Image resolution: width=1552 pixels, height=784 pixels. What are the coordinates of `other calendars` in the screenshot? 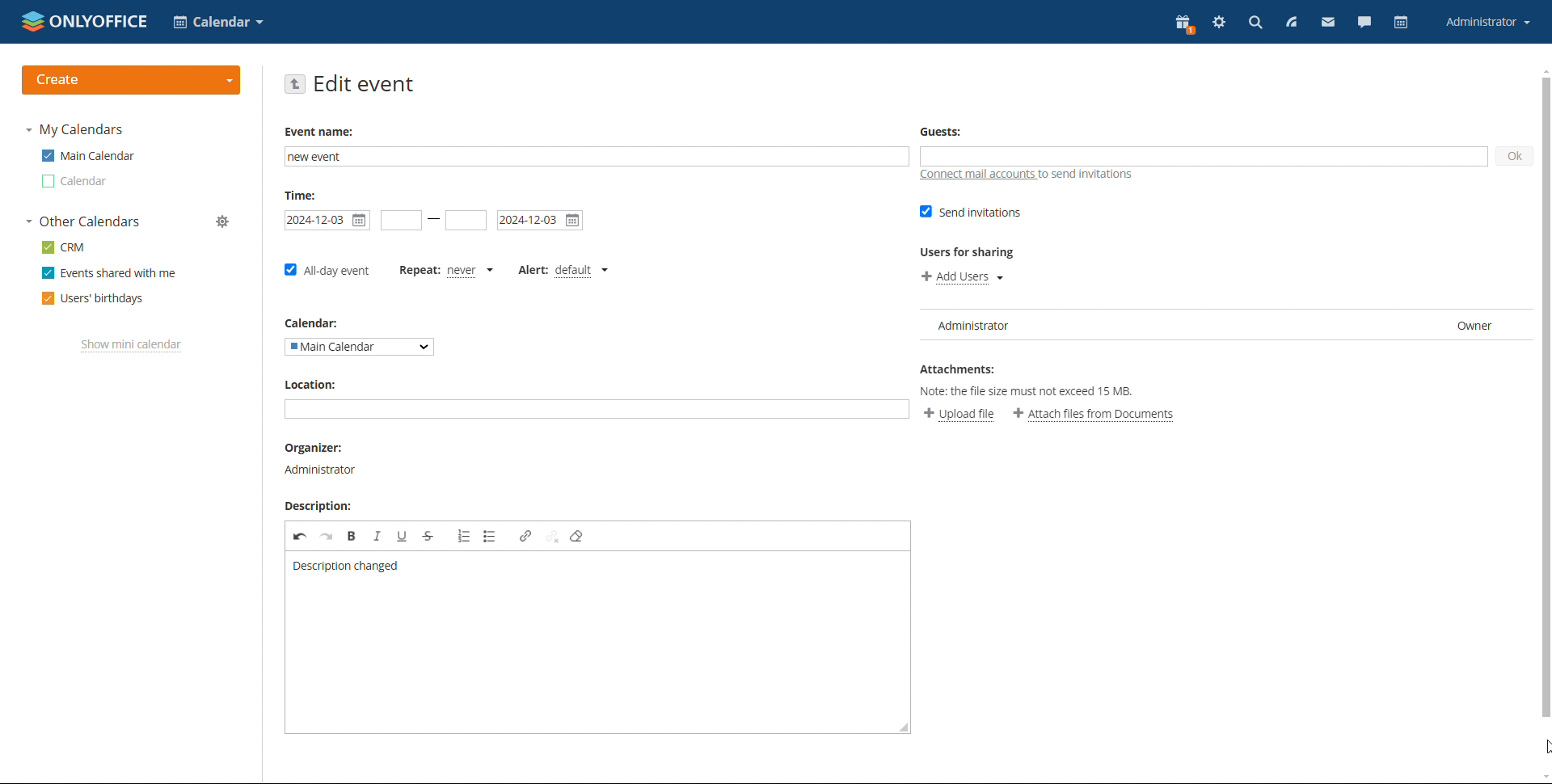 It's located at (82, 221).